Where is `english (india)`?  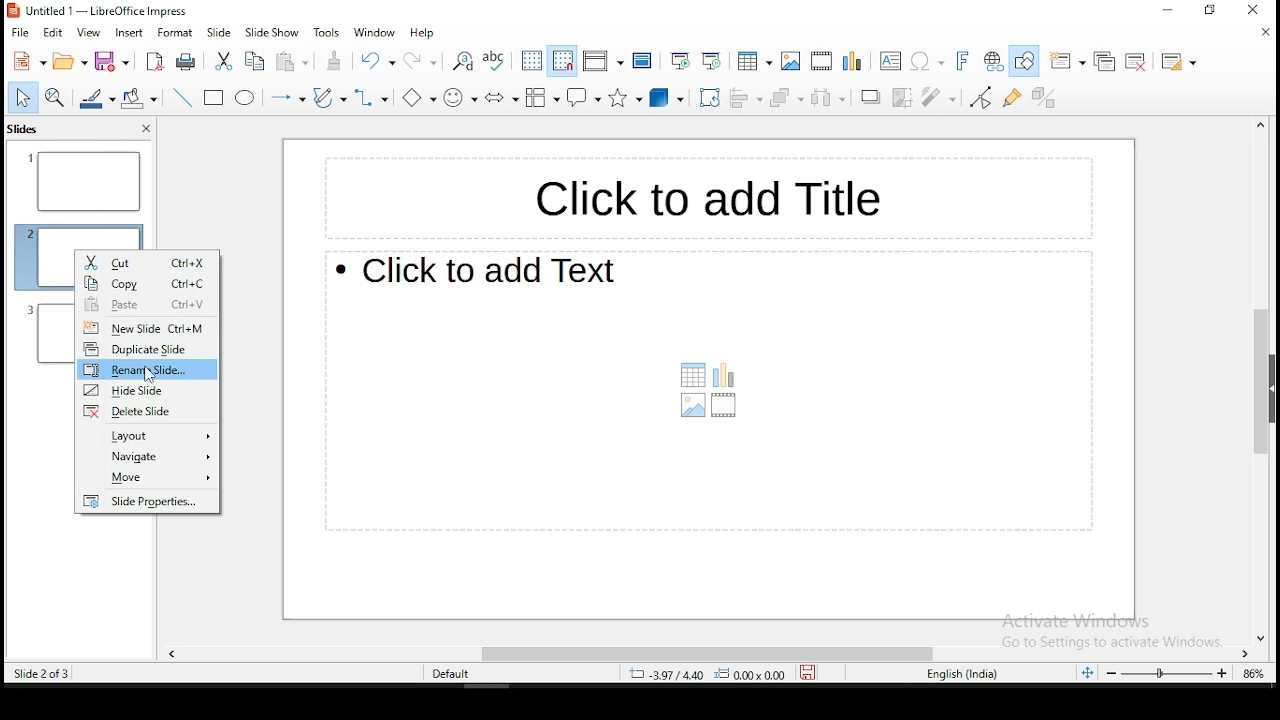 english (india) is located at coordinates (963, 674).